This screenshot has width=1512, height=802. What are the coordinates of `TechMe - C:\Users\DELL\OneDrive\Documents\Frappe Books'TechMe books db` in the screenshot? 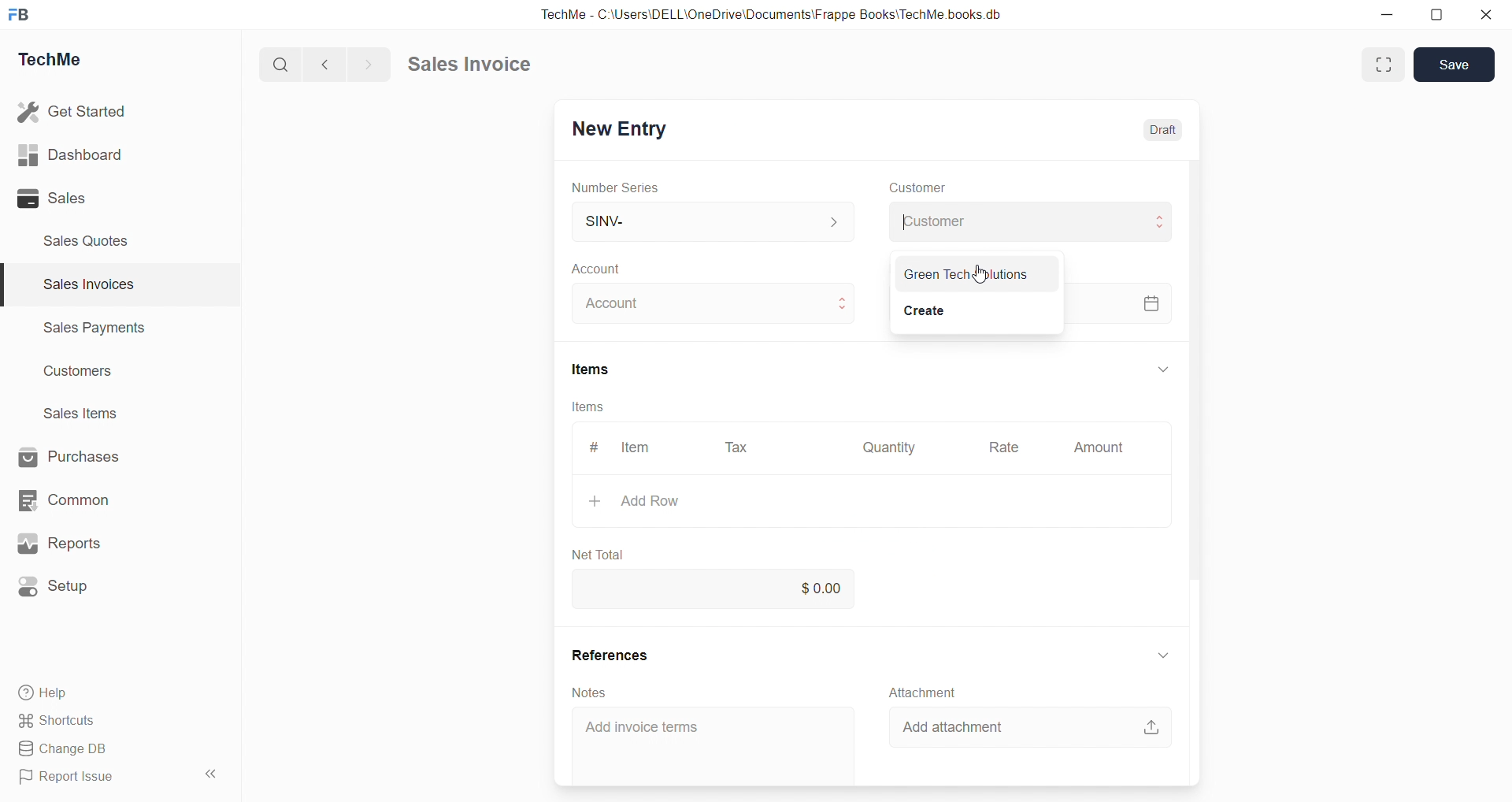 It's located at (775, 14).